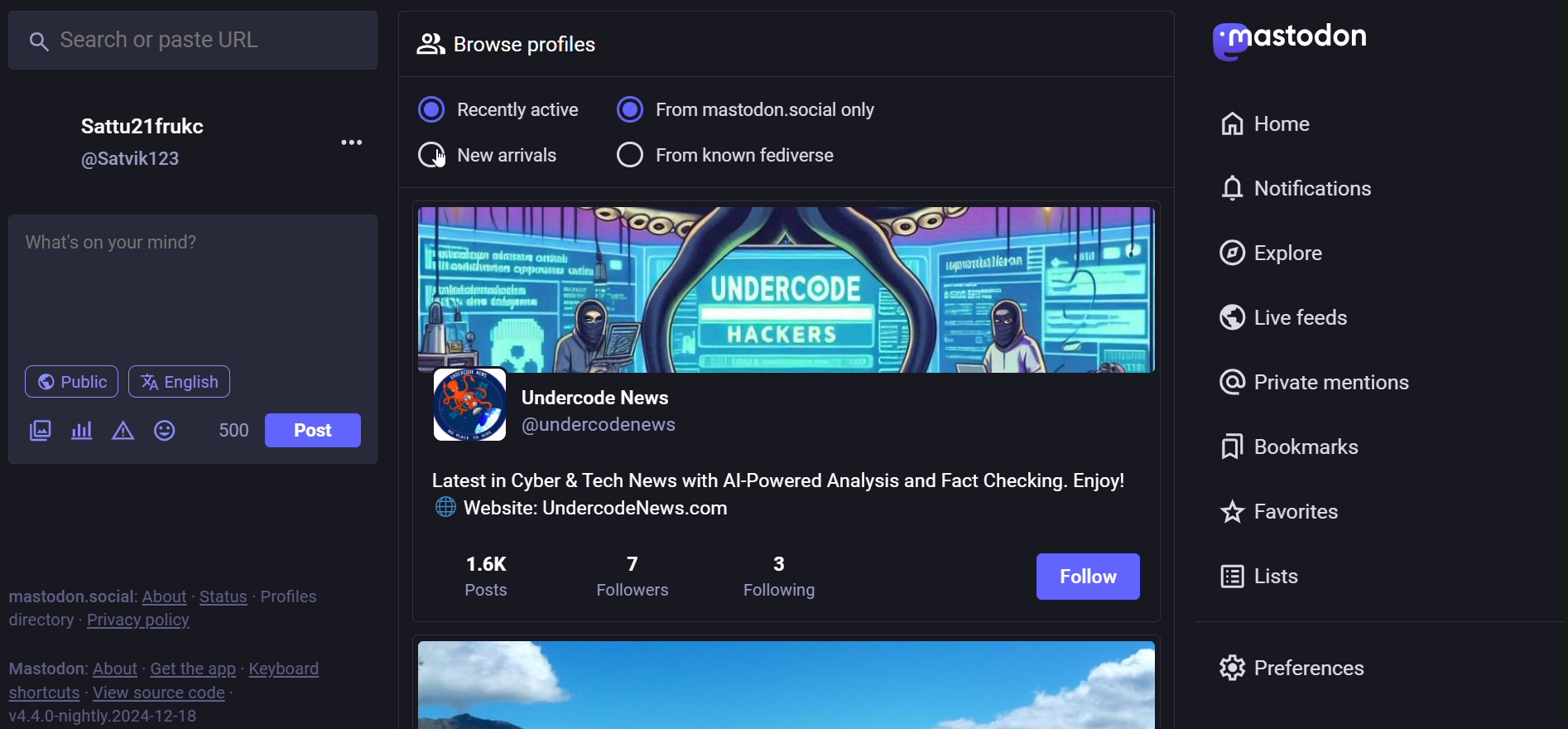 The image size is (1568, 729). What do you see at coordinates (1291, 320) in the screenshot?
I see `live feed` at bounding box center [1291, 320].